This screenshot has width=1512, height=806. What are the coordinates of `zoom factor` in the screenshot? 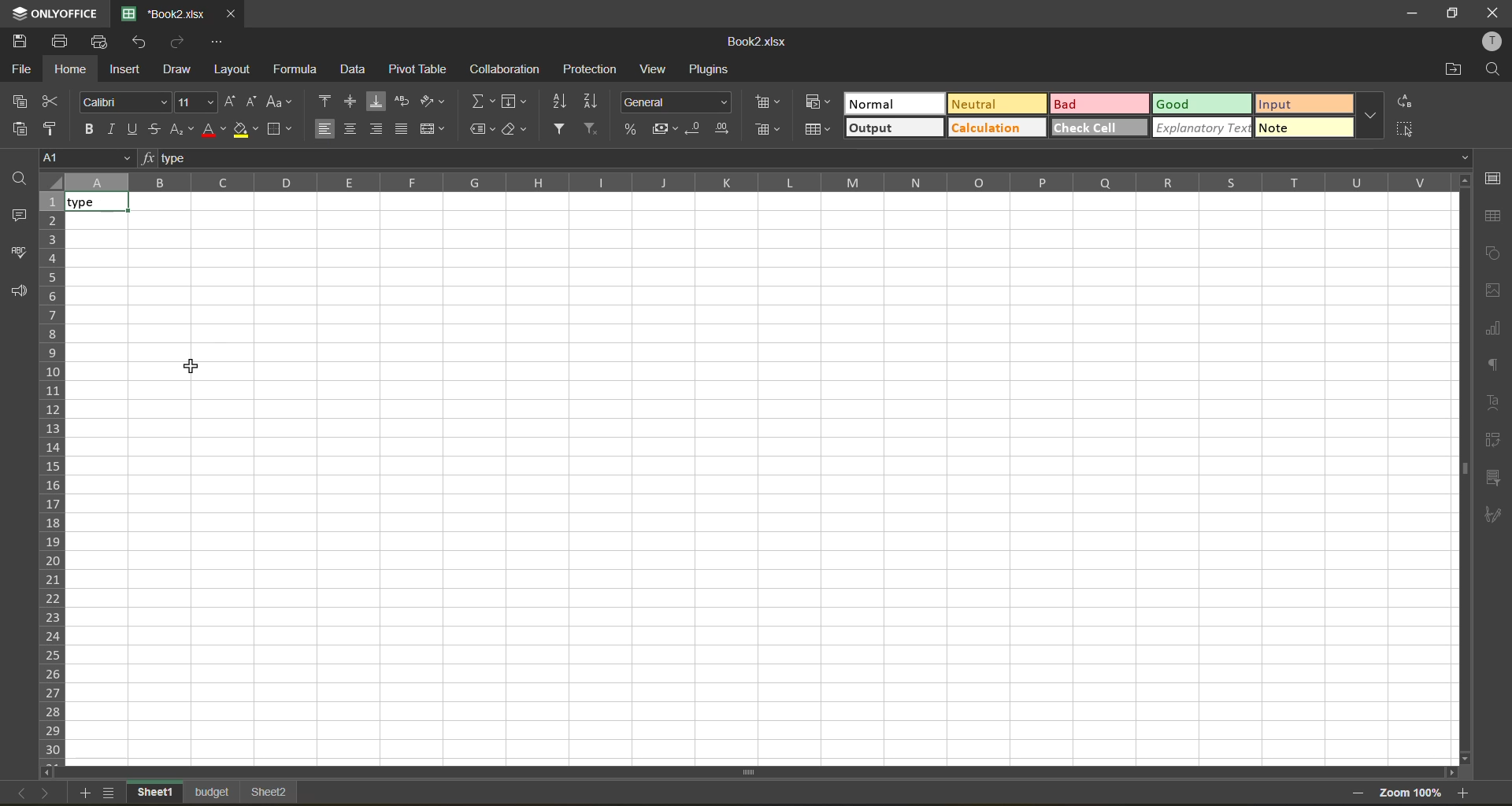 It's located at (1413, 794).